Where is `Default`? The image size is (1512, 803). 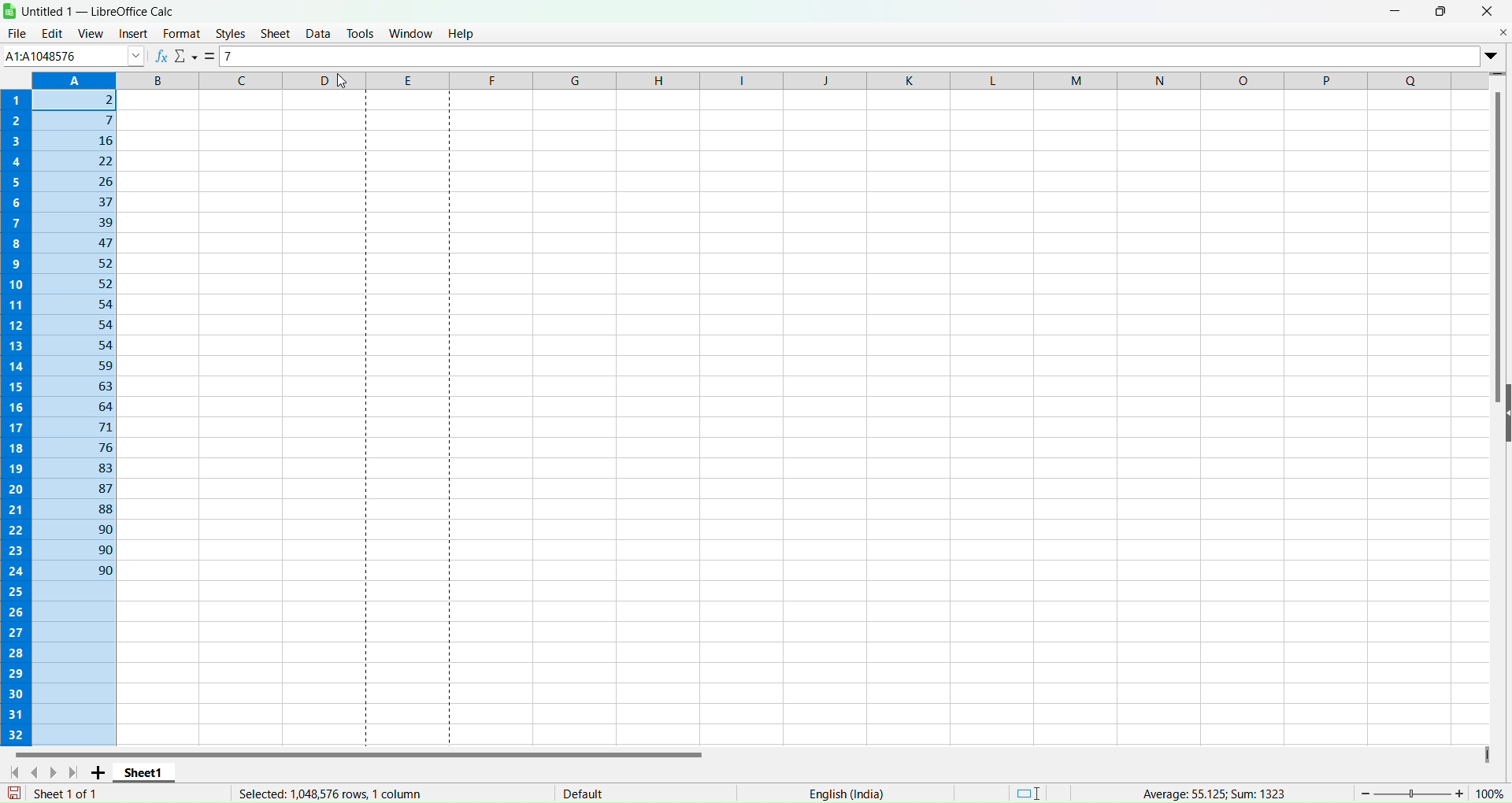
Default is located at coordinates (583, 790).